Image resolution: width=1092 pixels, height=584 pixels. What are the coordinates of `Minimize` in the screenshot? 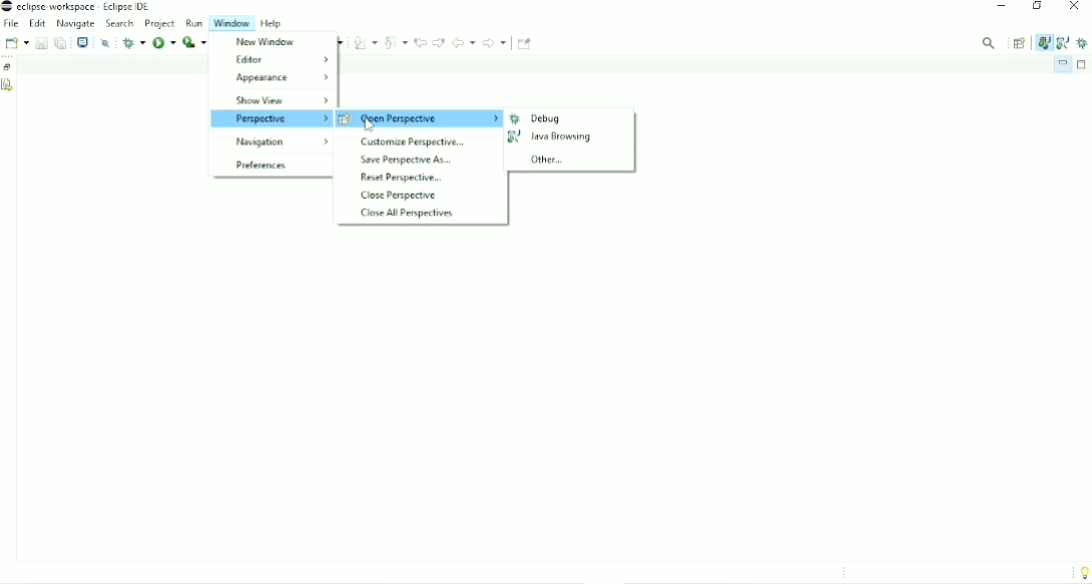 It's located at (1001, 8).